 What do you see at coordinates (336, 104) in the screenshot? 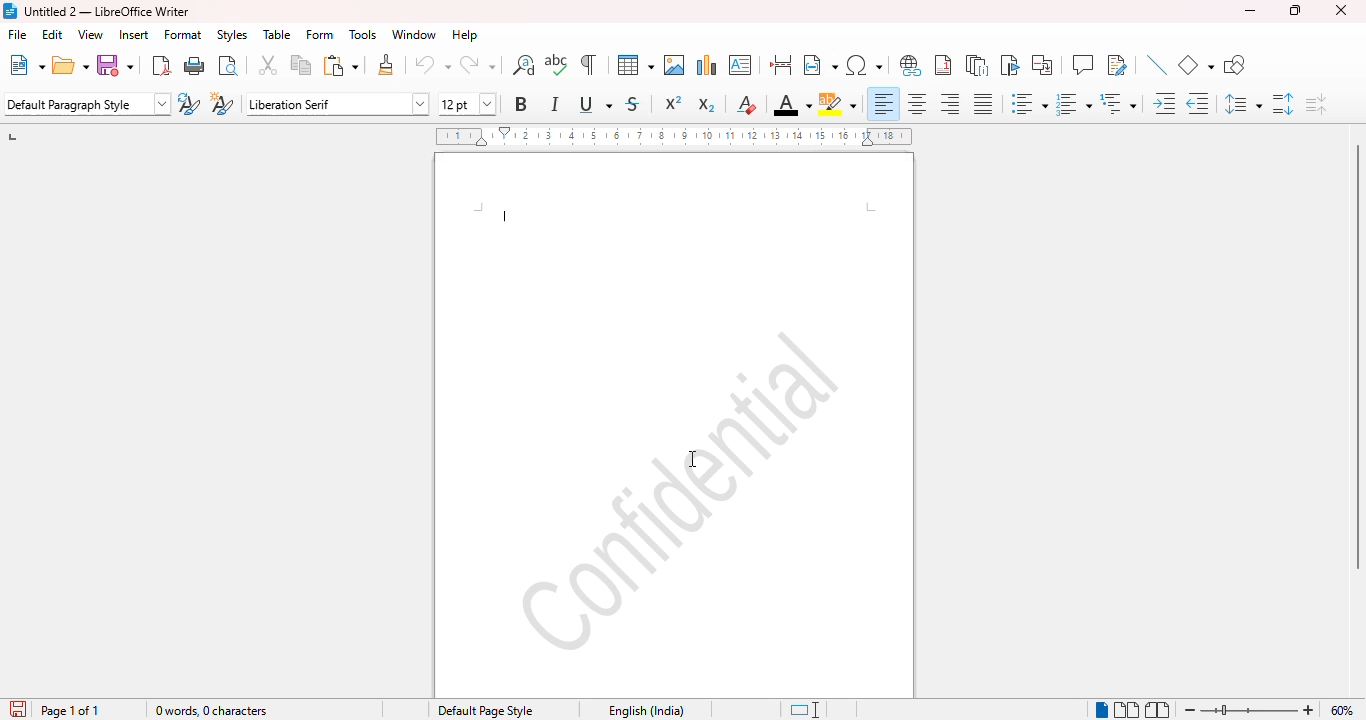
I see `font name` at bounding box center [336, 104].